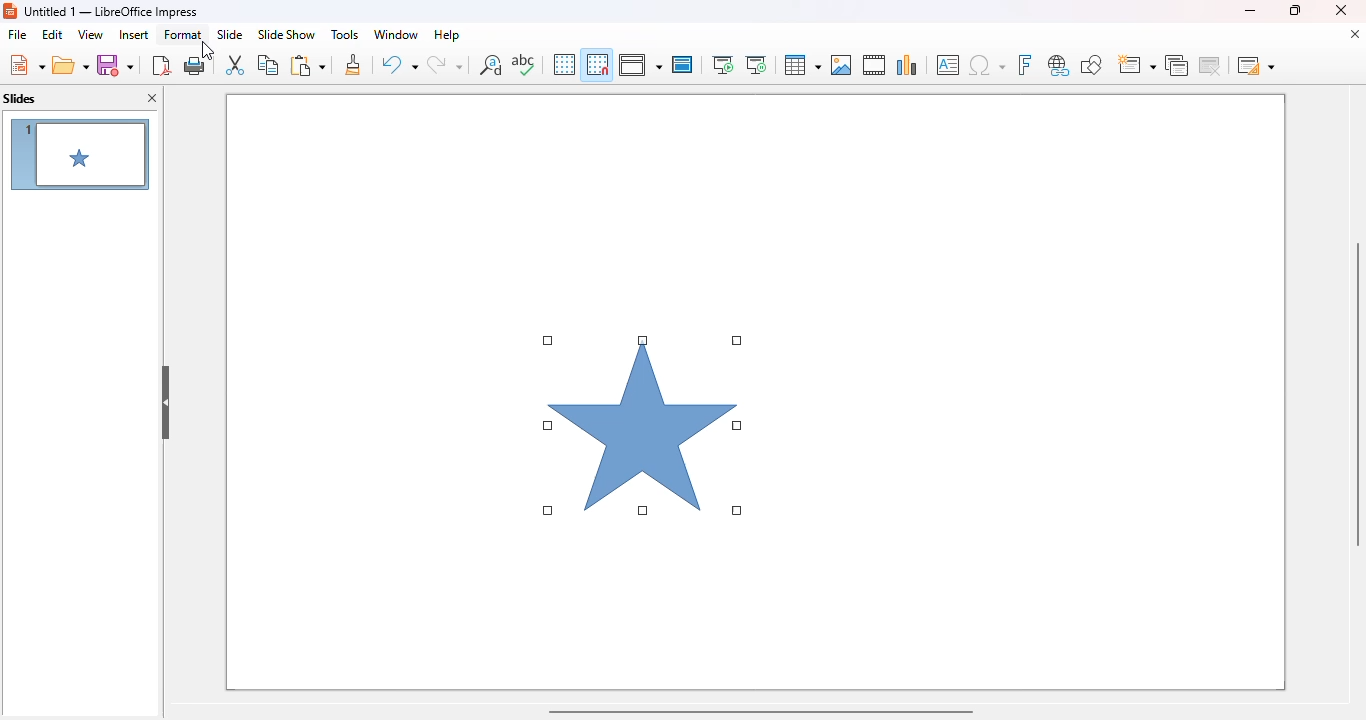 This screenshot has width=1366, height=720. I want to click on export directly as PDF, so click(161, 65).